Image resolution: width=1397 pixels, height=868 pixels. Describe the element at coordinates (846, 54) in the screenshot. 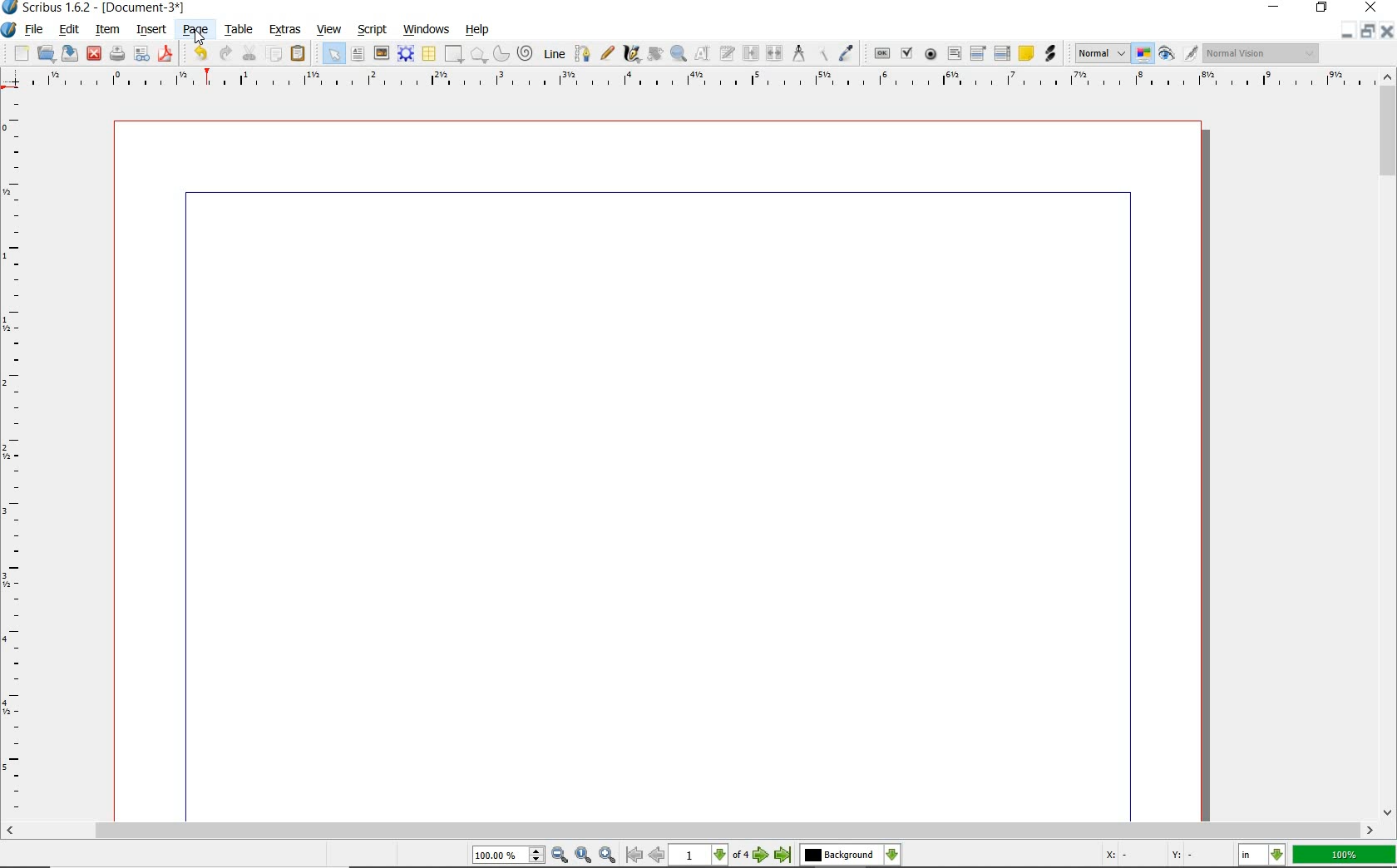

I see `eye dropper` at that location.